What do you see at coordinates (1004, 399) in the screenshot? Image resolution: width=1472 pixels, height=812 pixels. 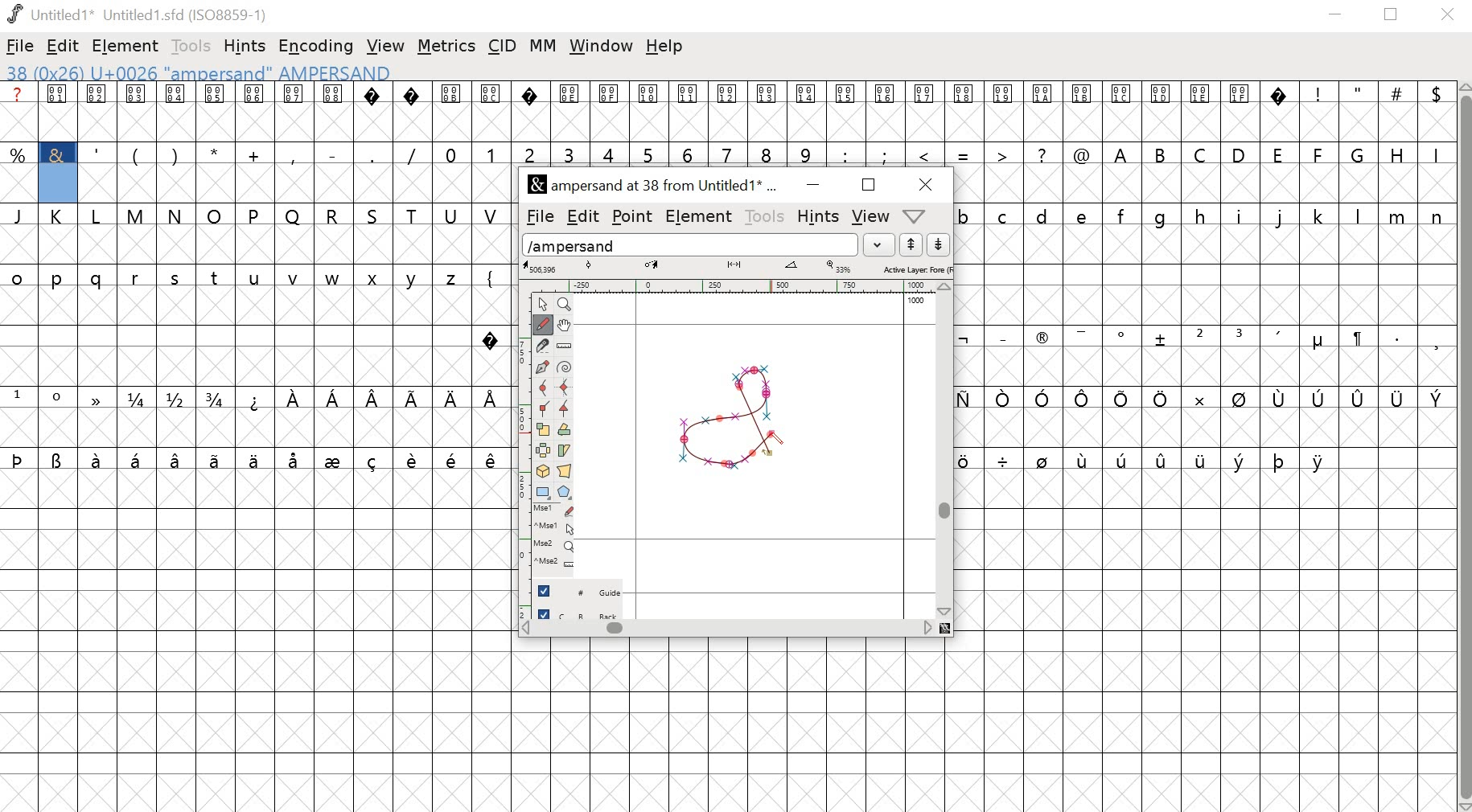 I see `symbol` at bounding box center [1004, 399].